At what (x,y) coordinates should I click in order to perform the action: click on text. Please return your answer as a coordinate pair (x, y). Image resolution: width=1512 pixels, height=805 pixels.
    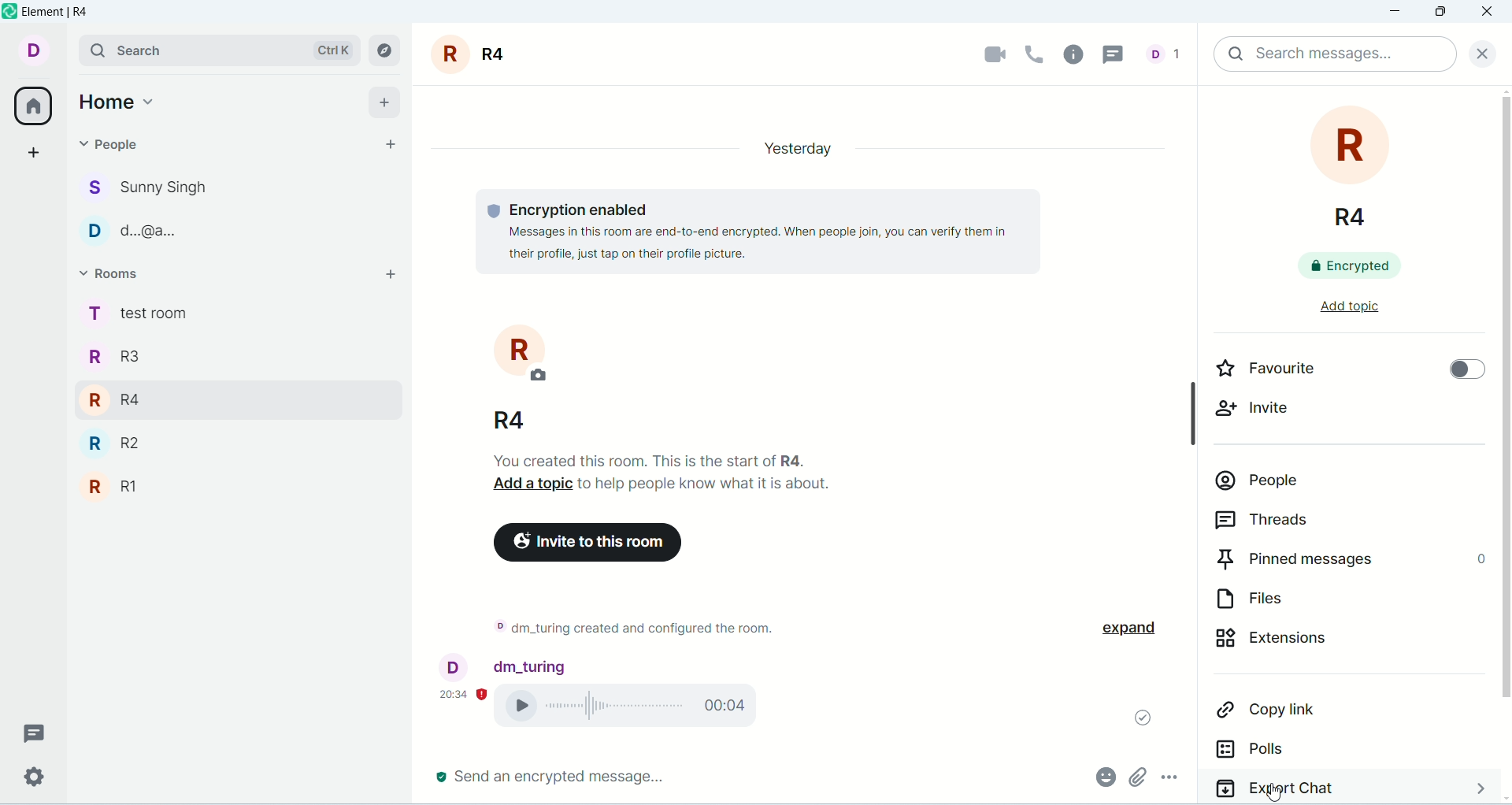
    Looking at the image, I should click on (669, 472).